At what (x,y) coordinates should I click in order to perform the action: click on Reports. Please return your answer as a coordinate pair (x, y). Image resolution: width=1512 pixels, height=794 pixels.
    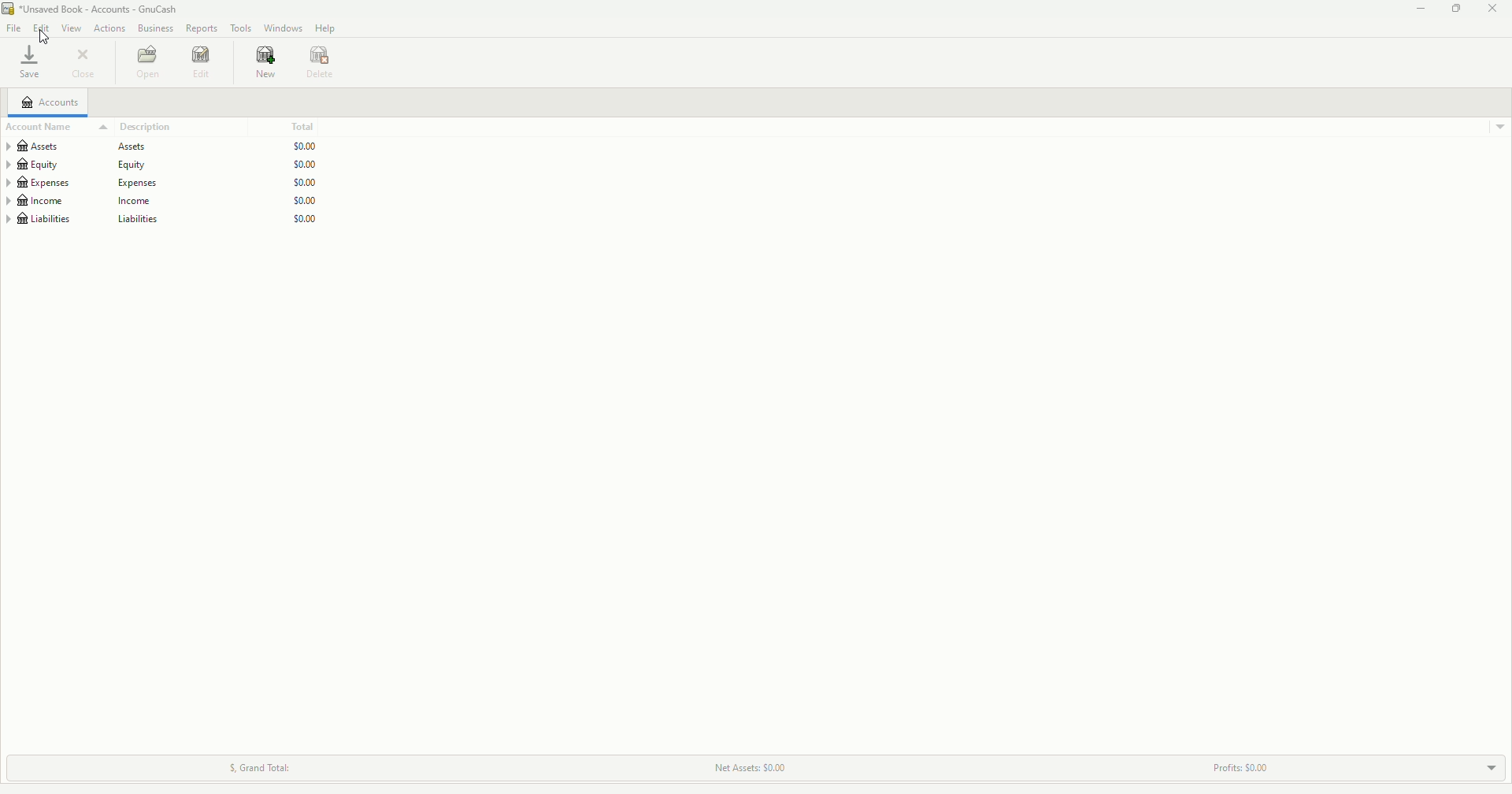
    Looking at the image, I should click on (202, 28).